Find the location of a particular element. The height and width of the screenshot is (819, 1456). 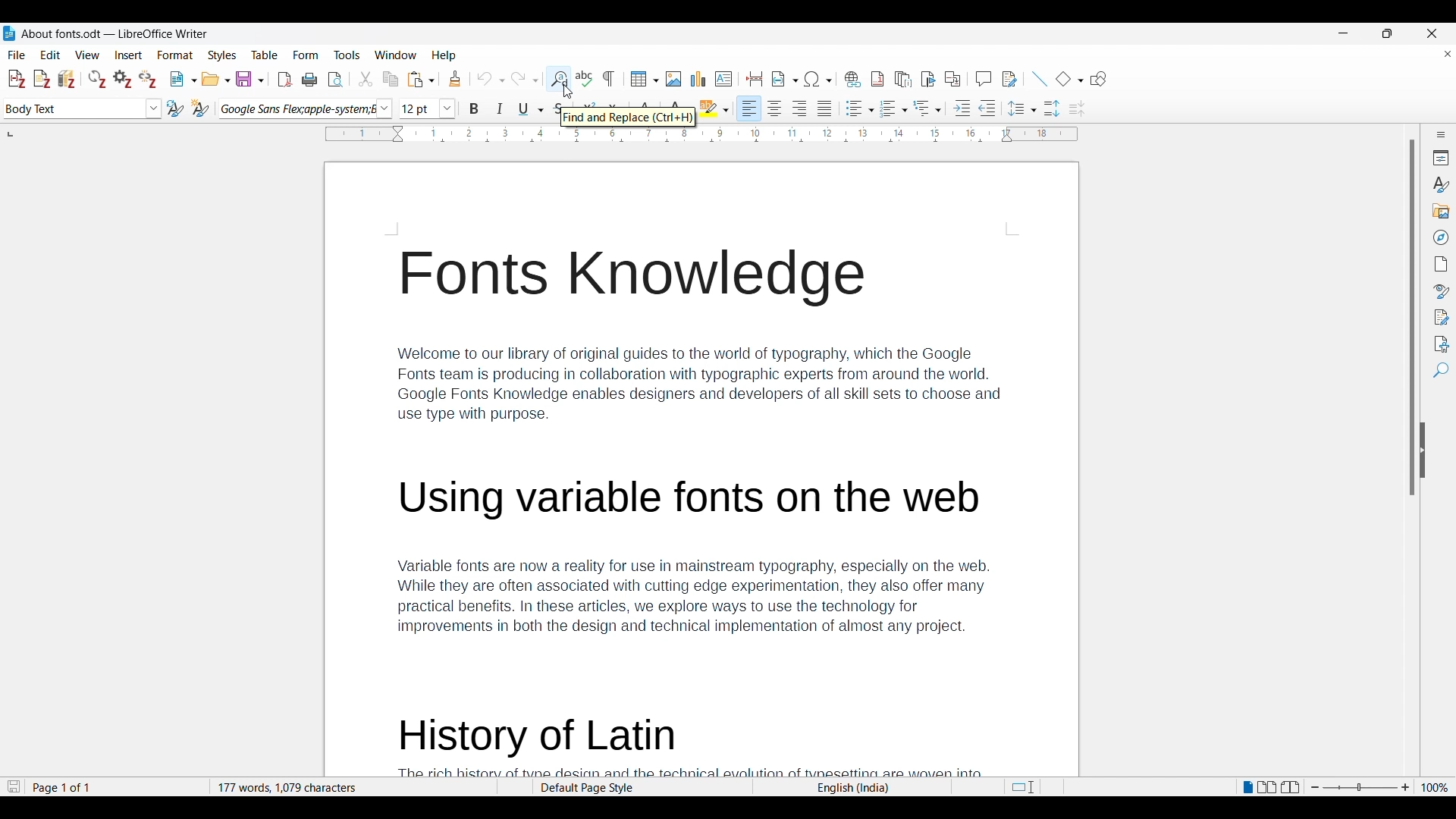

Add/Edit Bibliography is located at coordinates (67, 79).